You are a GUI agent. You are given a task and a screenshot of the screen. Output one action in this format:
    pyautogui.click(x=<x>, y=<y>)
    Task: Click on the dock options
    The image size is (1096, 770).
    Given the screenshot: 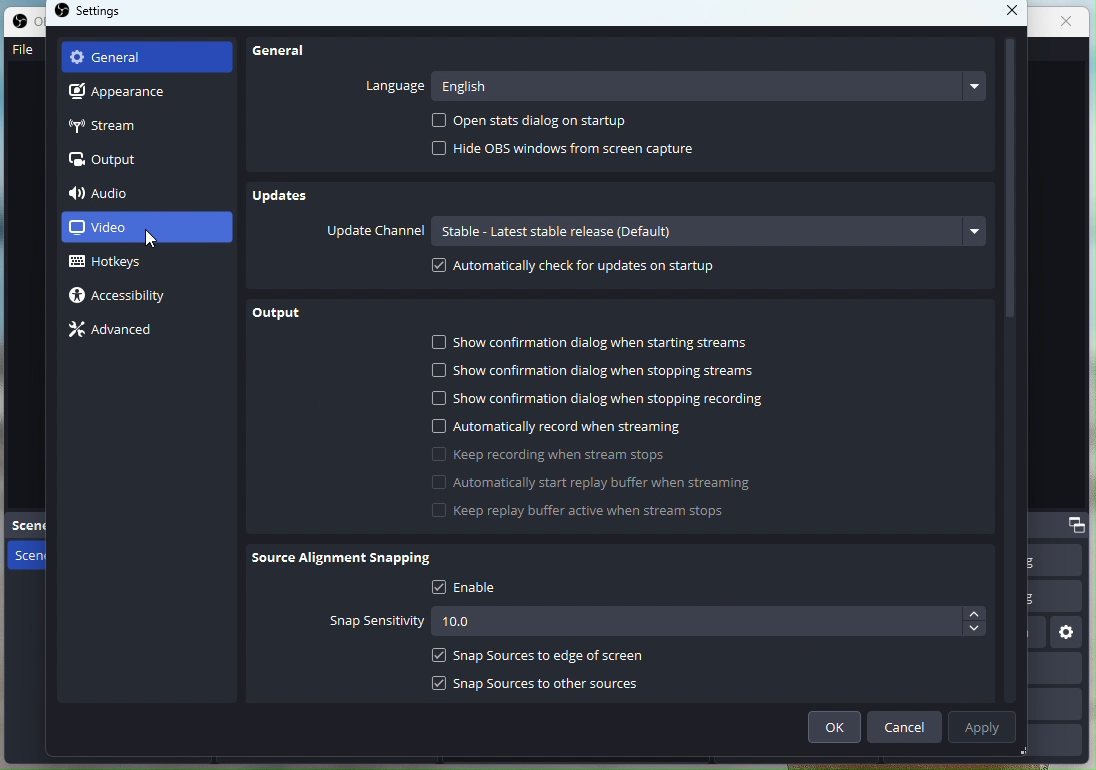 What is the action you would take?
    pyautogui.click(x=1070, y=527)
    